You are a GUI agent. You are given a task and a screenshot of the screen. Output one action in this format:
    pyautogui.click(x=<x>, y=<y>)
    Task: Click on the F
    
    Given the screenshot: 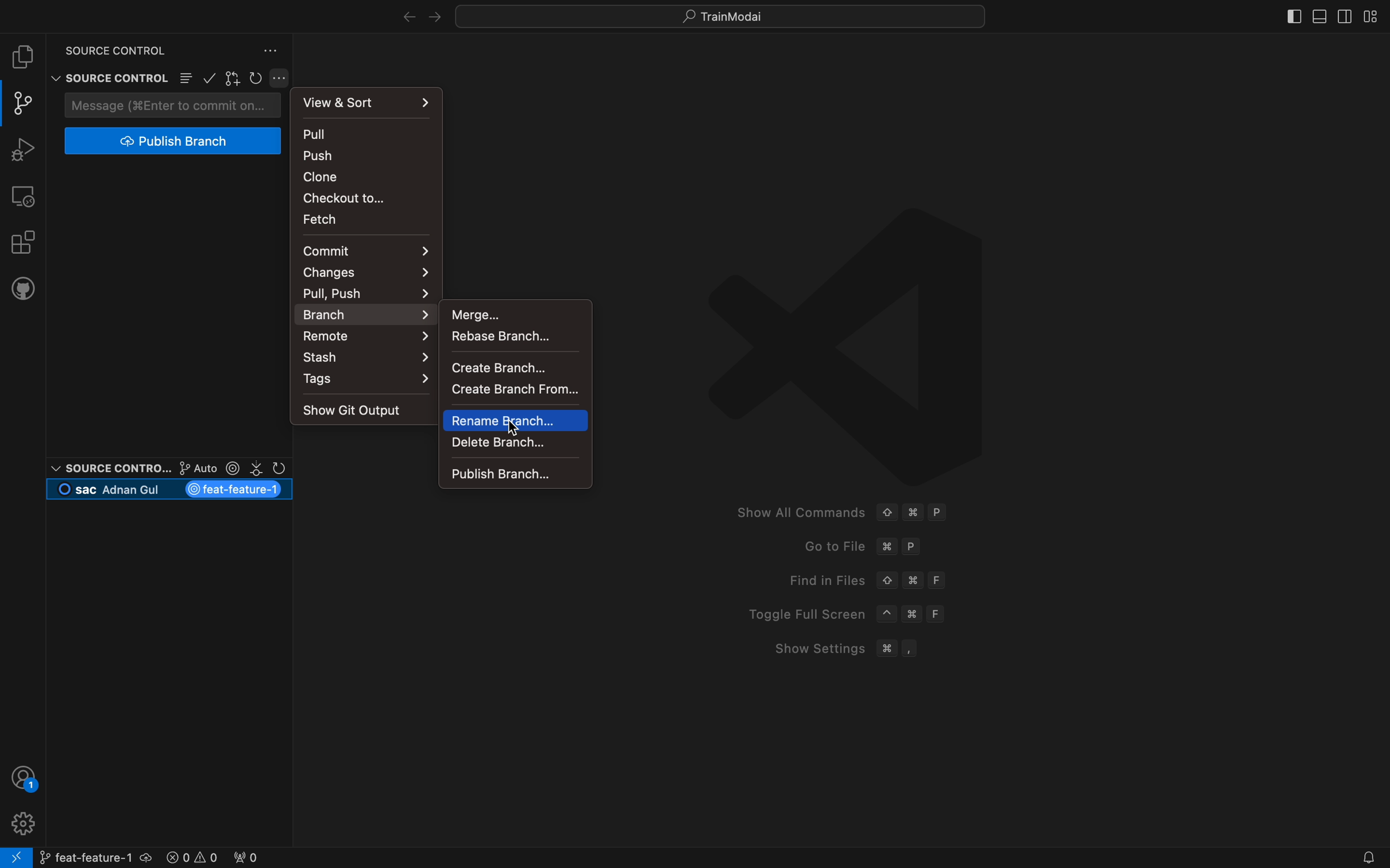 What is the action you would take?
    pyautogui.click(x=940, y=614)
    